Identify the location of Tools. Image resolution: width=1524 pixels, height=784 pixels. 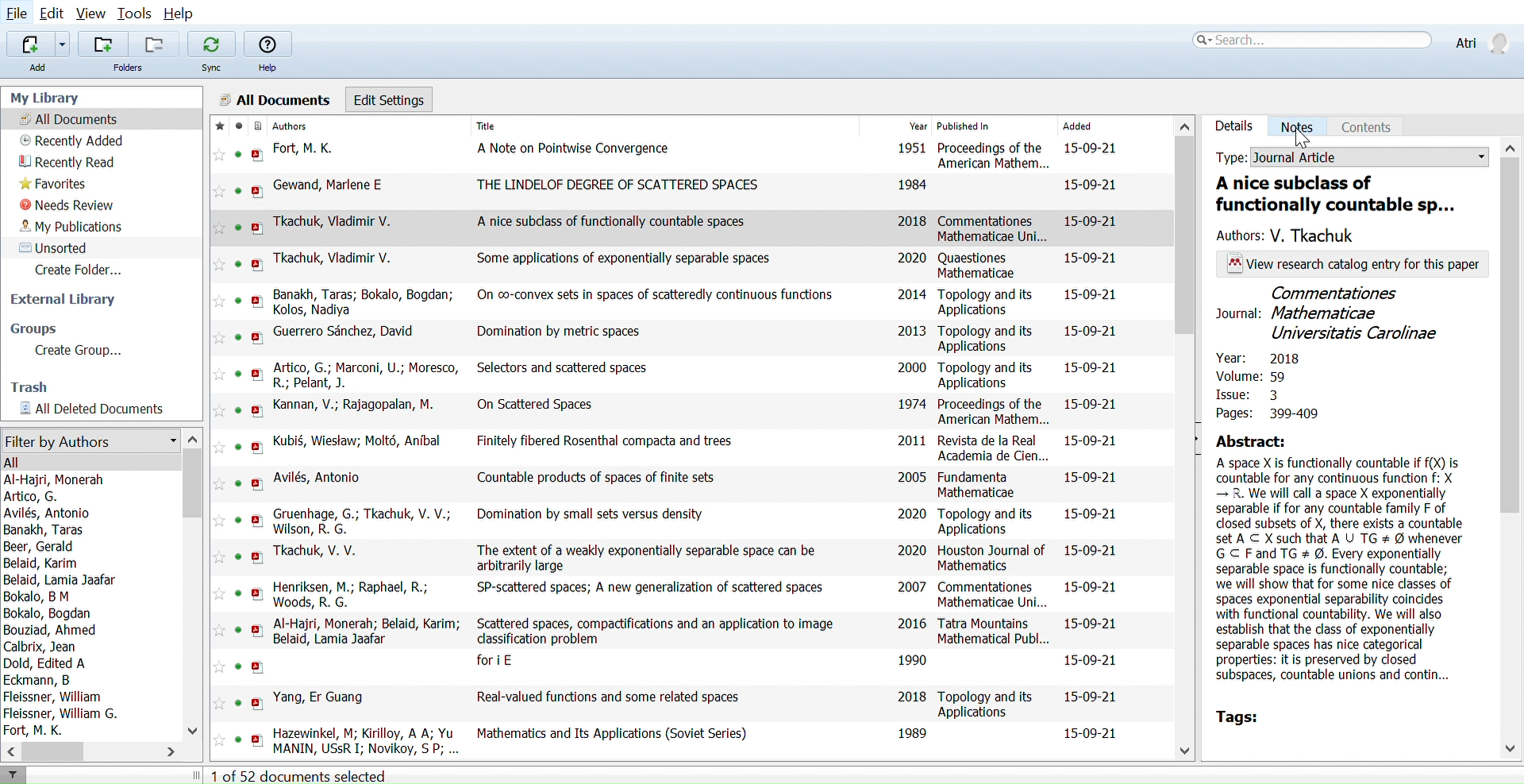
(136, 14).